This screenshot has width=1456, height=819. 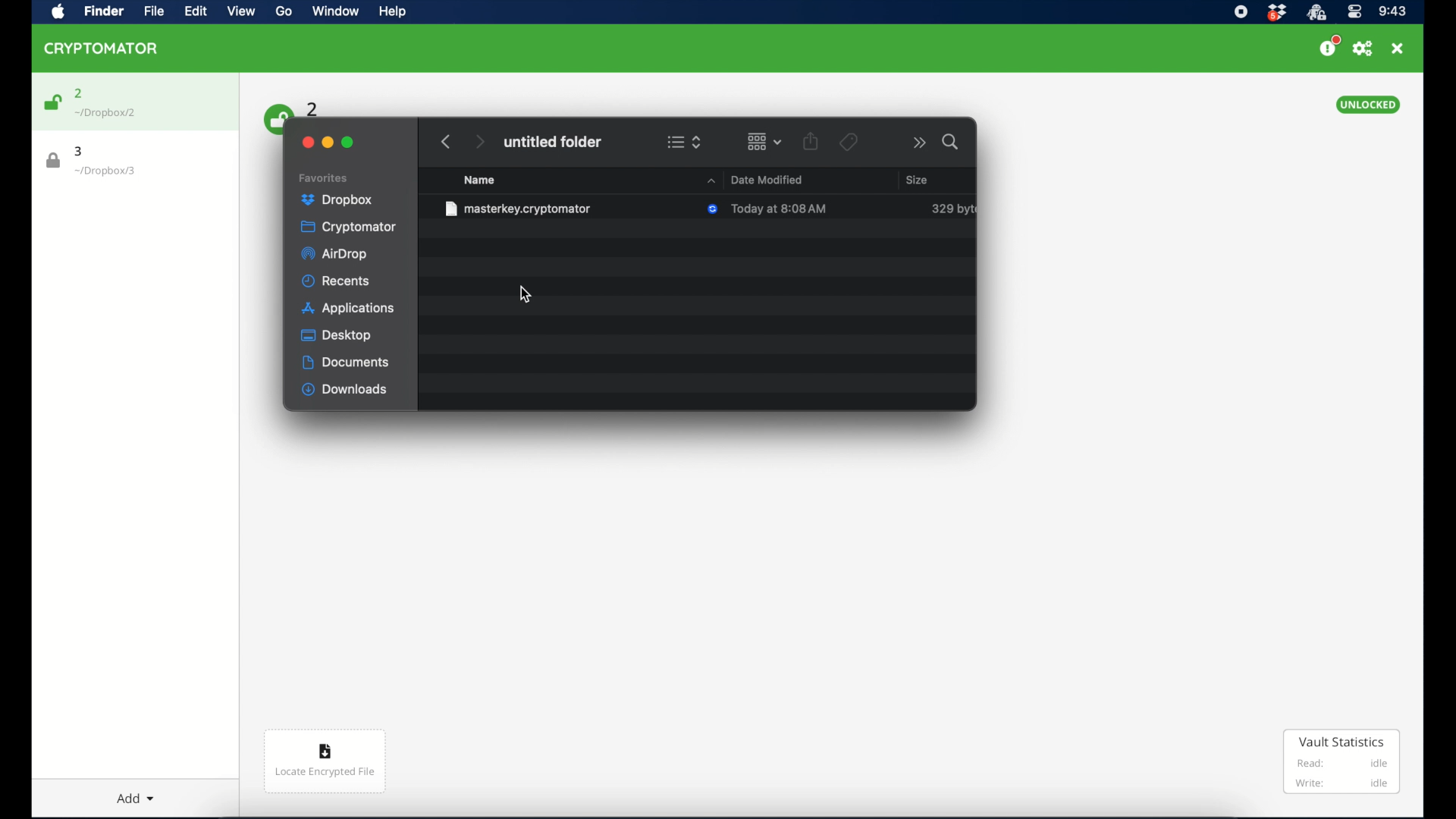 What do you see at coordinates (102, 48) in the screenshot?
I see `cryptomator` at bounding box center [102, 48].